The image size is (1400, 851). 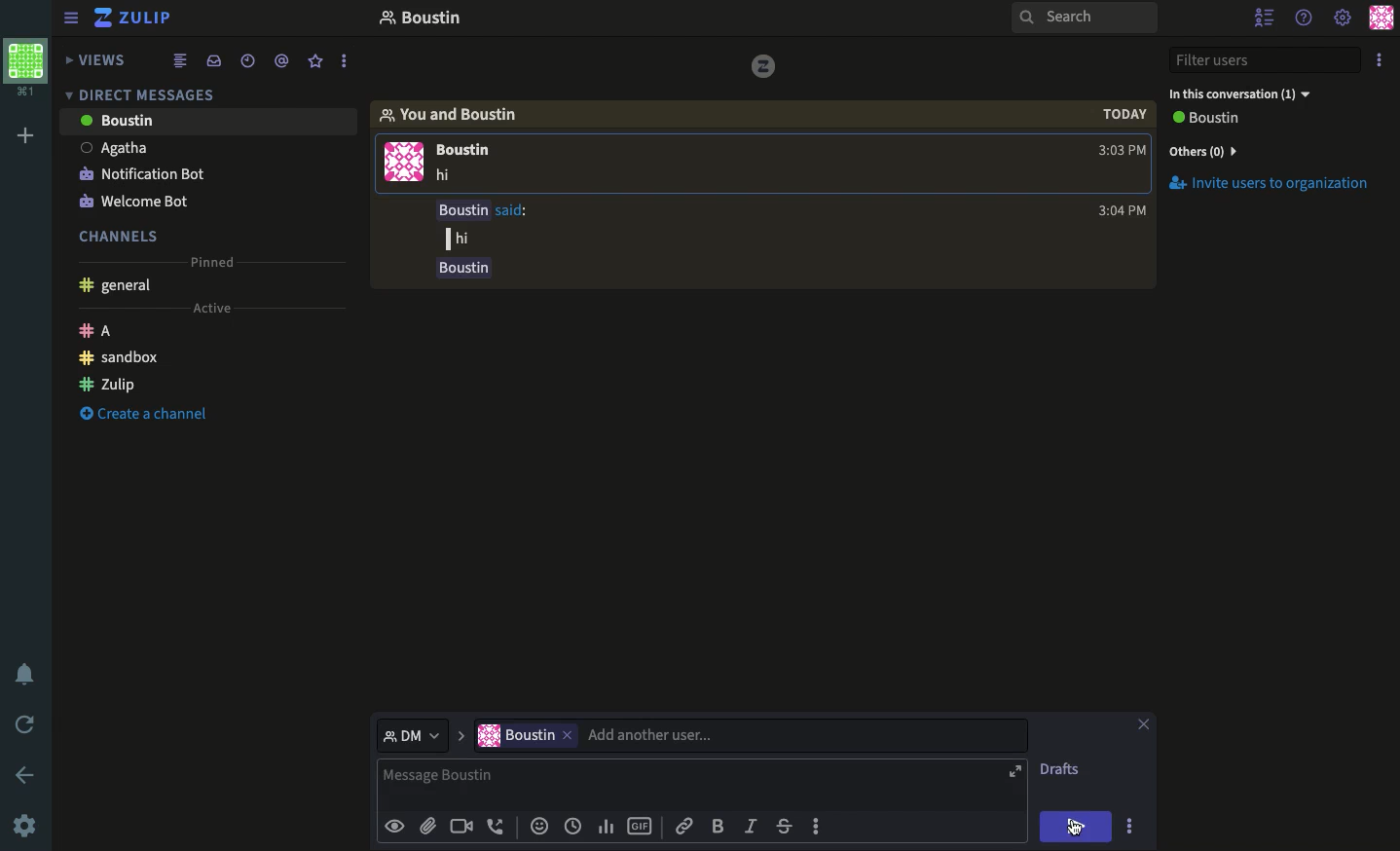 What do you see at coordinates (1083, 830) in the screenshot?
I see `Mouse Cursor` at bounding box center [1083, 830].